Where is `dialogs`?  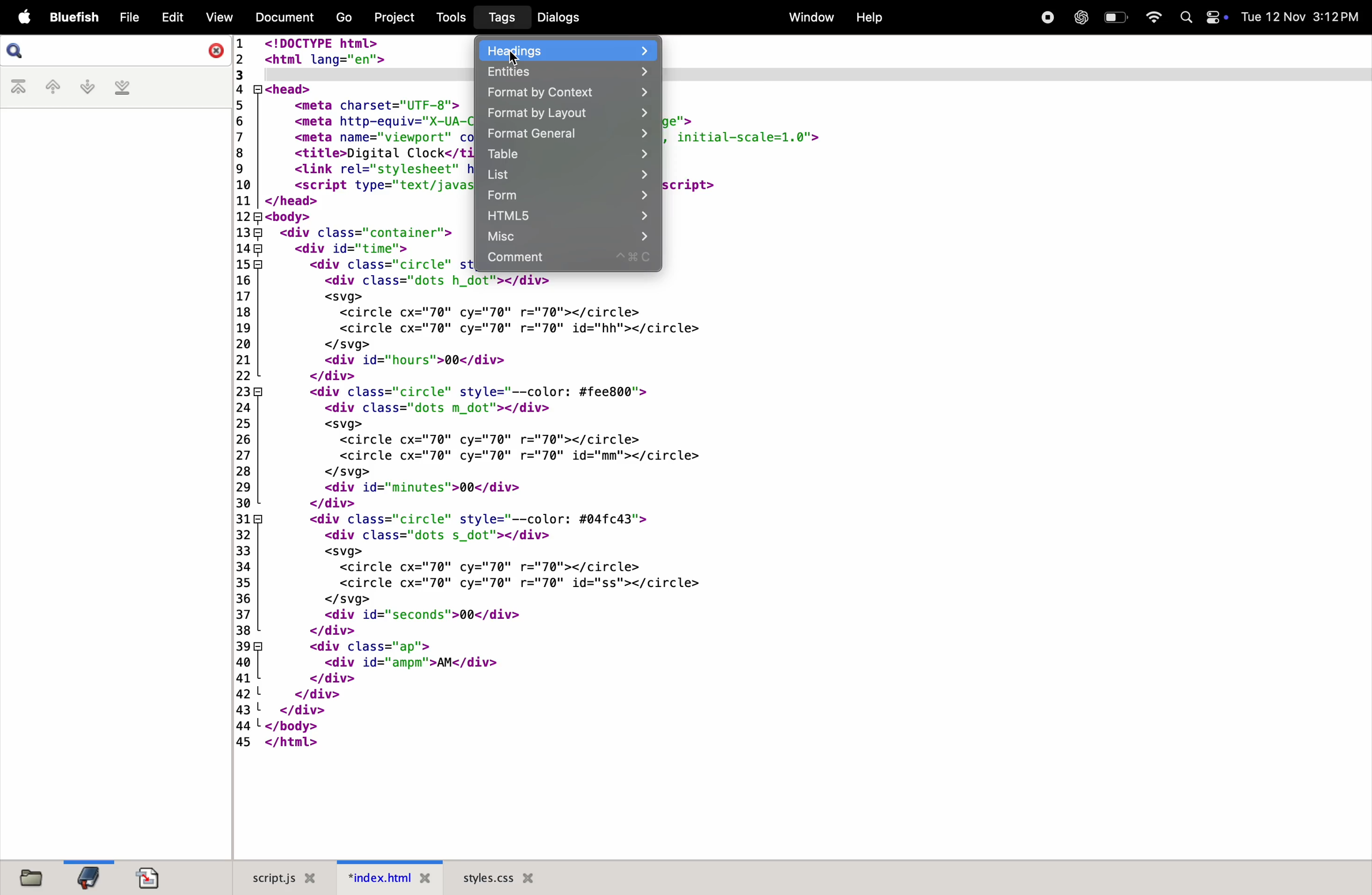
dialogs is located at coordinates (557, 17).